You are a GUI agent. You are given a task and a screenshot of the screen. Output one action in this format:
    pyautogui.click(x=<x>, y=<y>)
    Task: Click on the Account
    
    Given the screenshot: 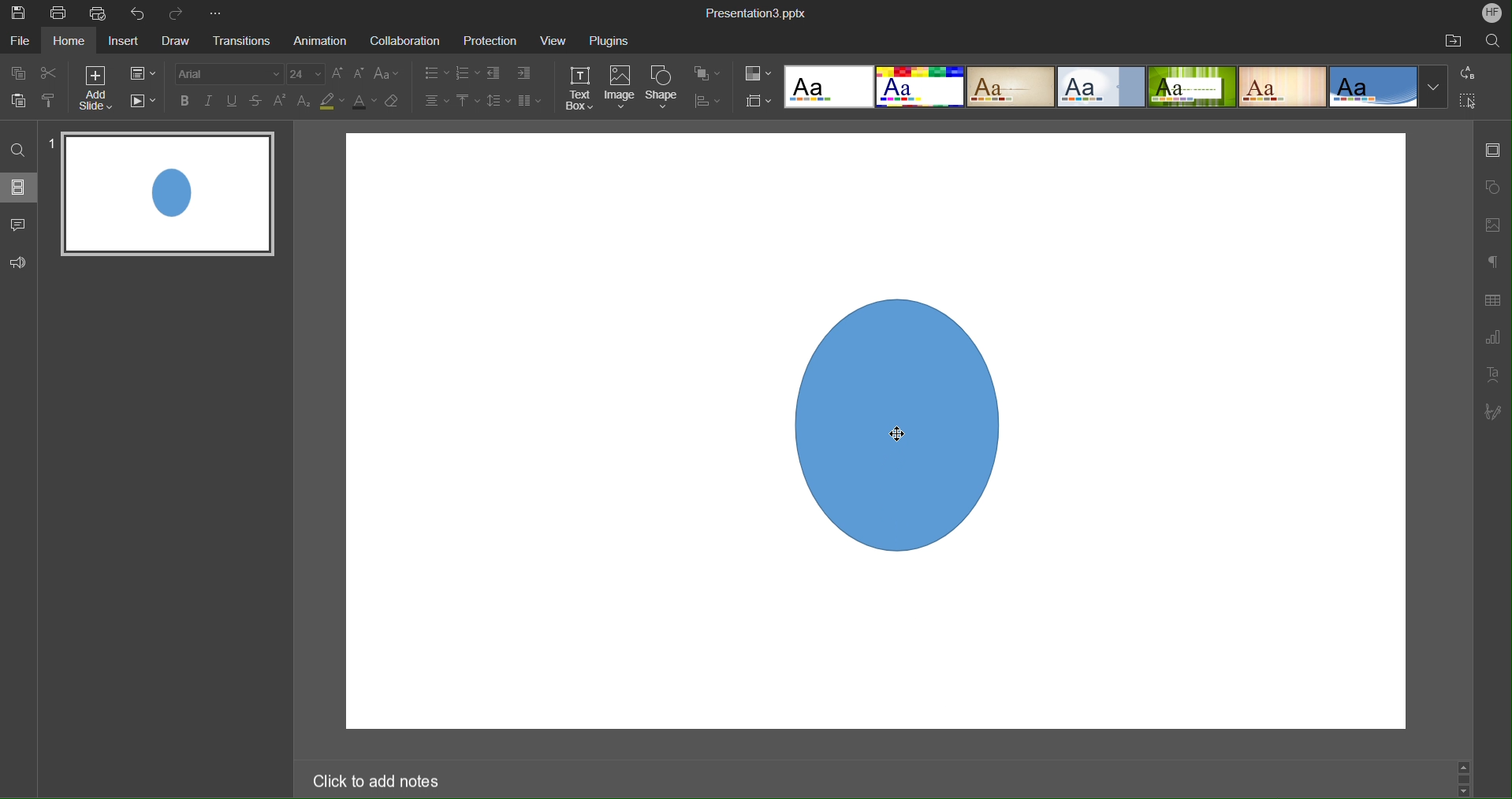 What is the action you would take?
    pyautogui.click(x=1493, y=13)
    